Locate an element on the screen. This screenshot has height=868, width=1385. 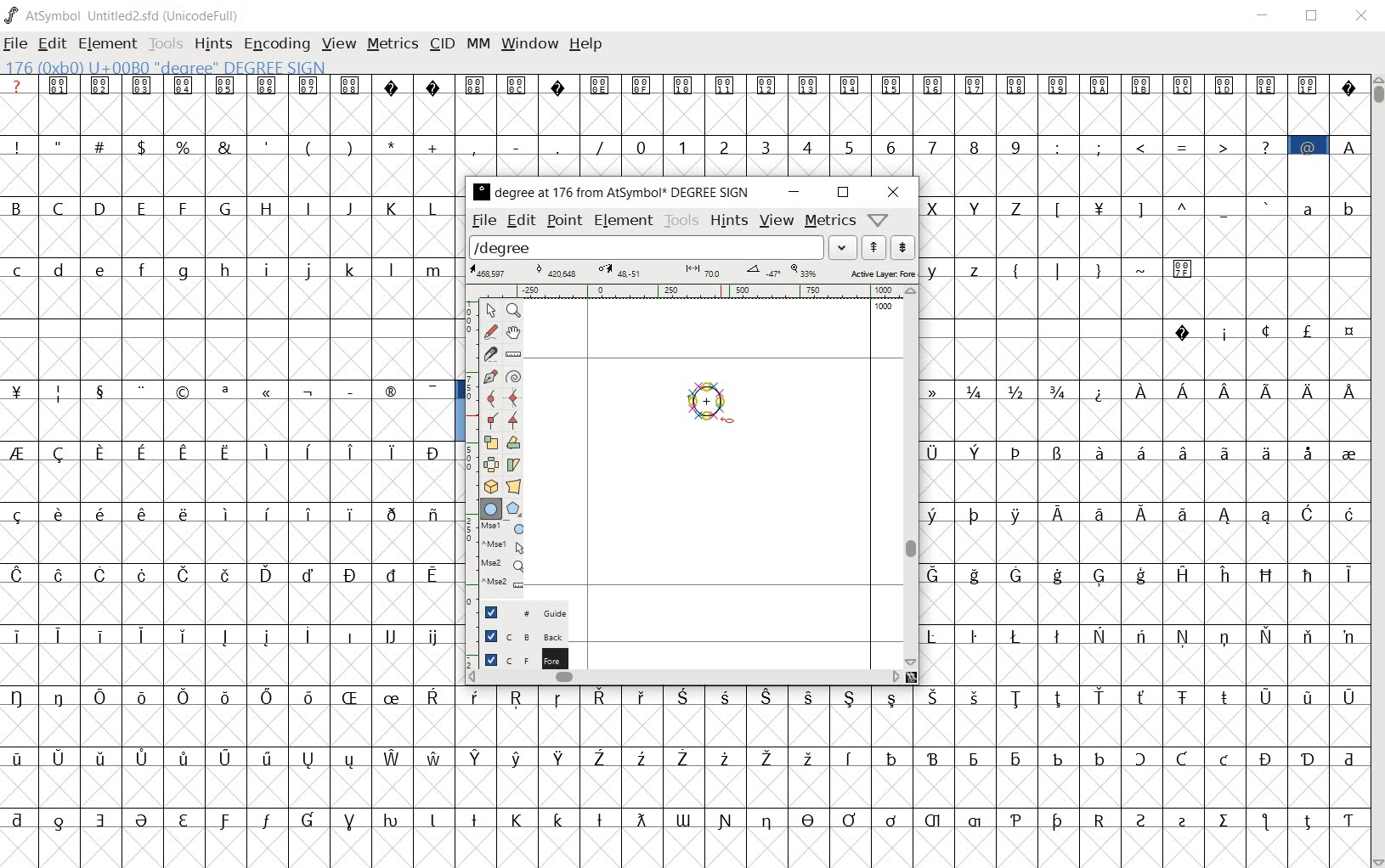
special characters is located at coordinates (1164, 207).